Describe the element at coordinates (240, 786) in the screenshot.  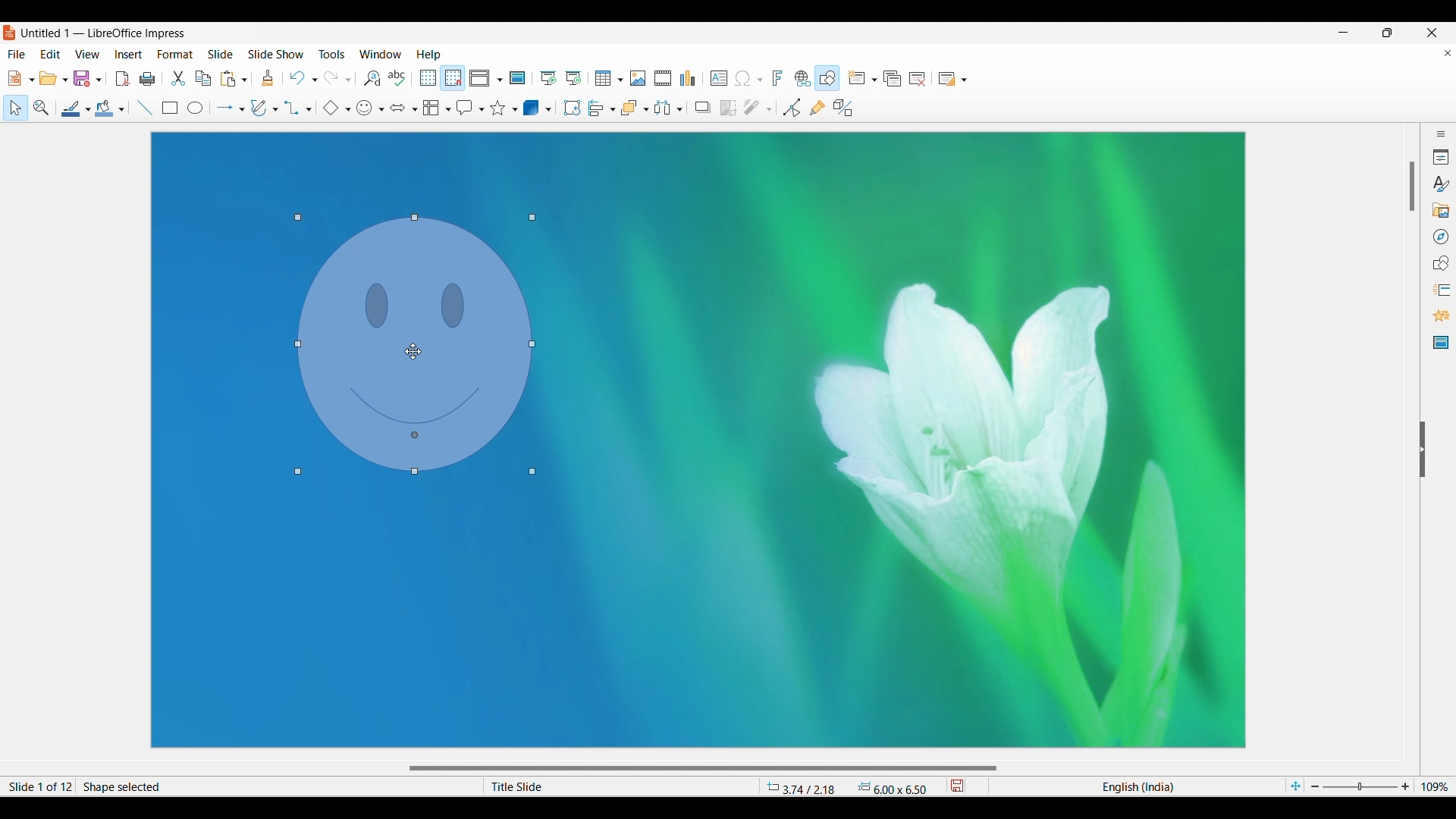
I see `Shape selected` at that location.